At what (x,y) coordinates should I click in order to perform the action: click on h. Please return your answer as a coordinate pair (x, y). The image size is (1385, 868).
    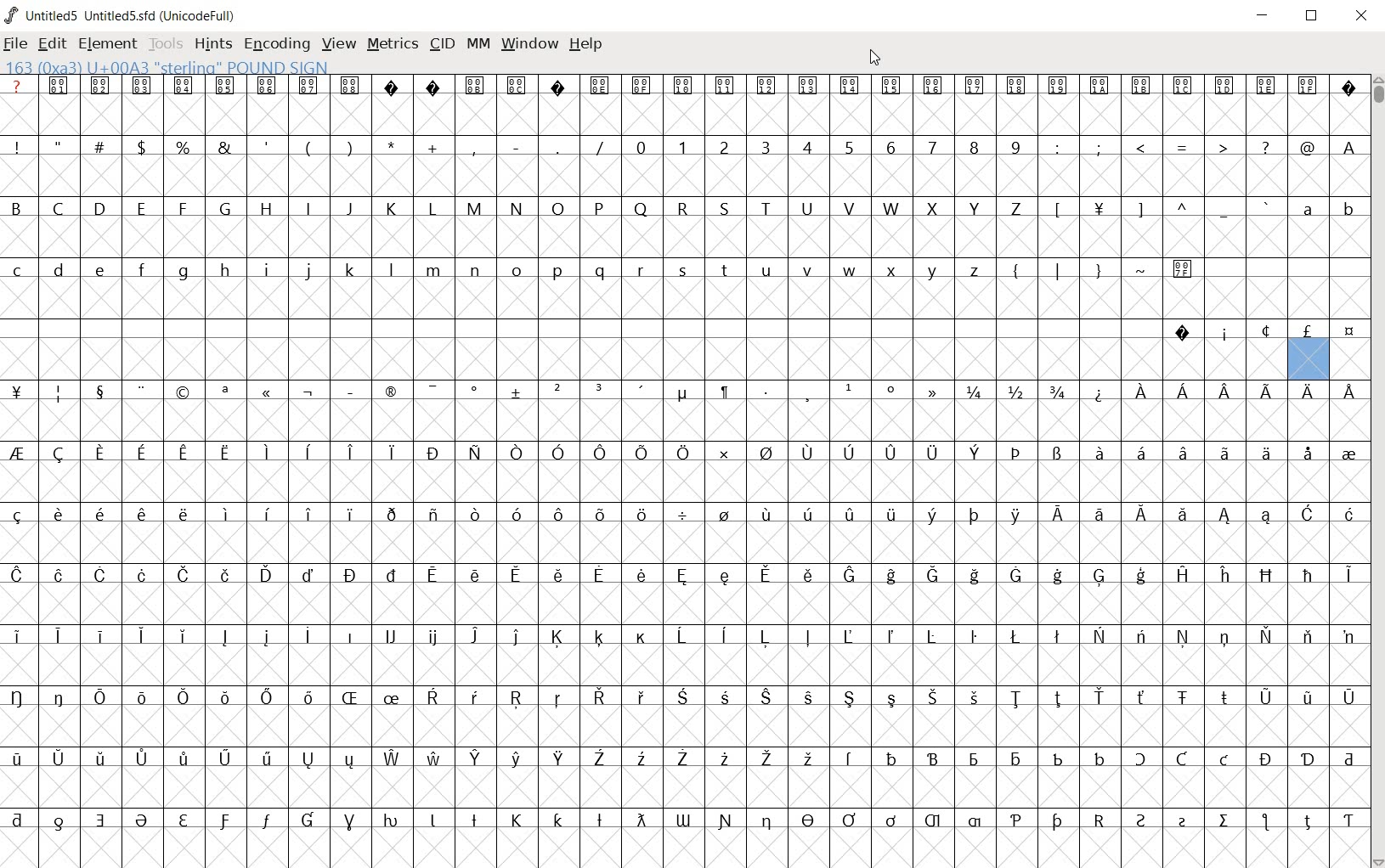
    Looking at the image, I should click on (226, 270).